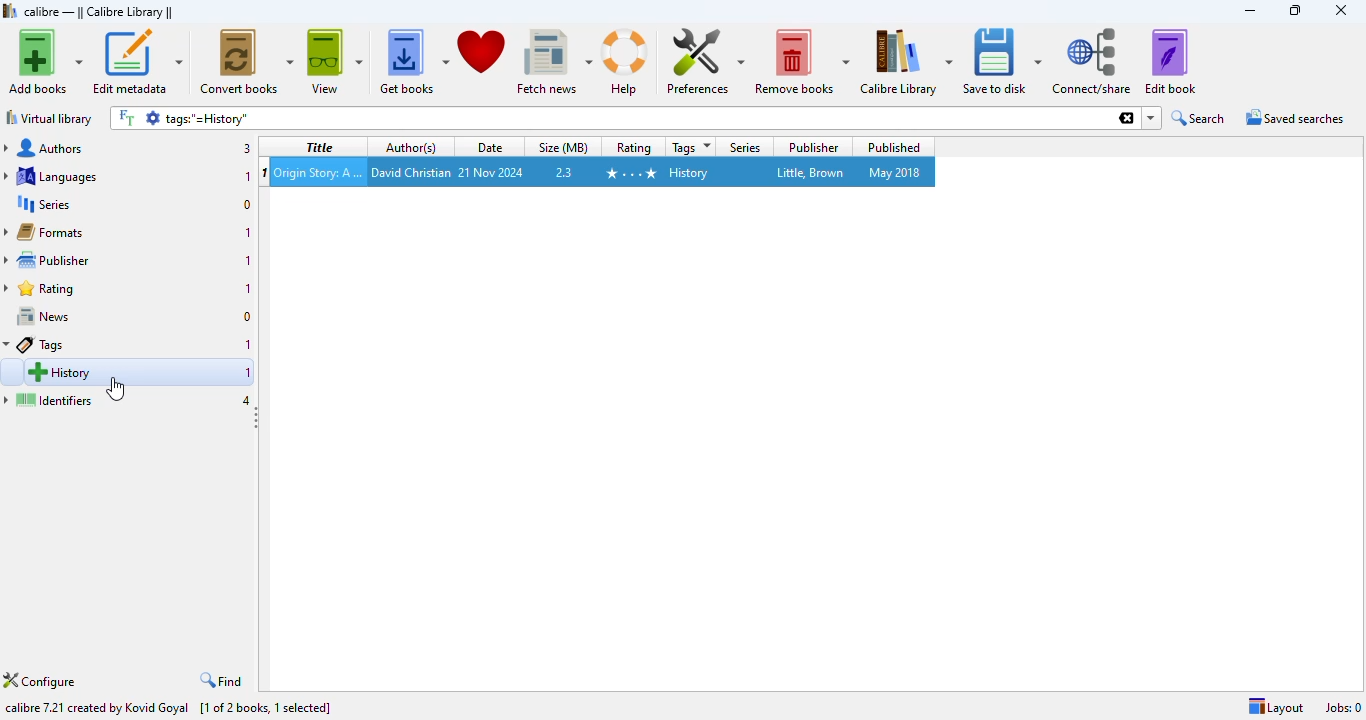  What do you see at coordinates (895, 146) in the screenshot?
I see `published` at bounding box center [895, 146].